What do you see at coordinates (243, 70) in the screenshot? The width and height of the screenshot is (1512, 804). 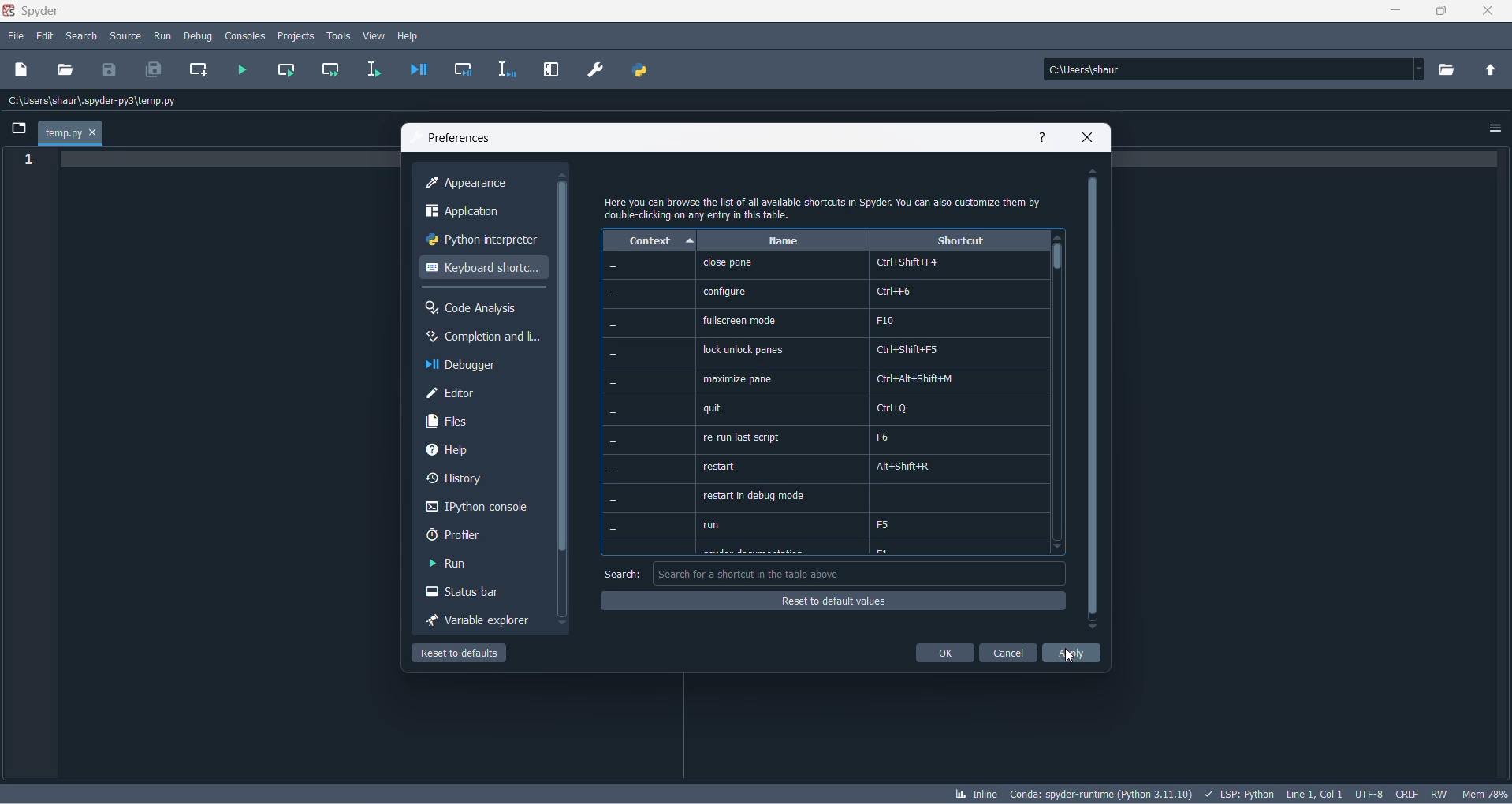 I see `run file` at bounding box center [243, 70].